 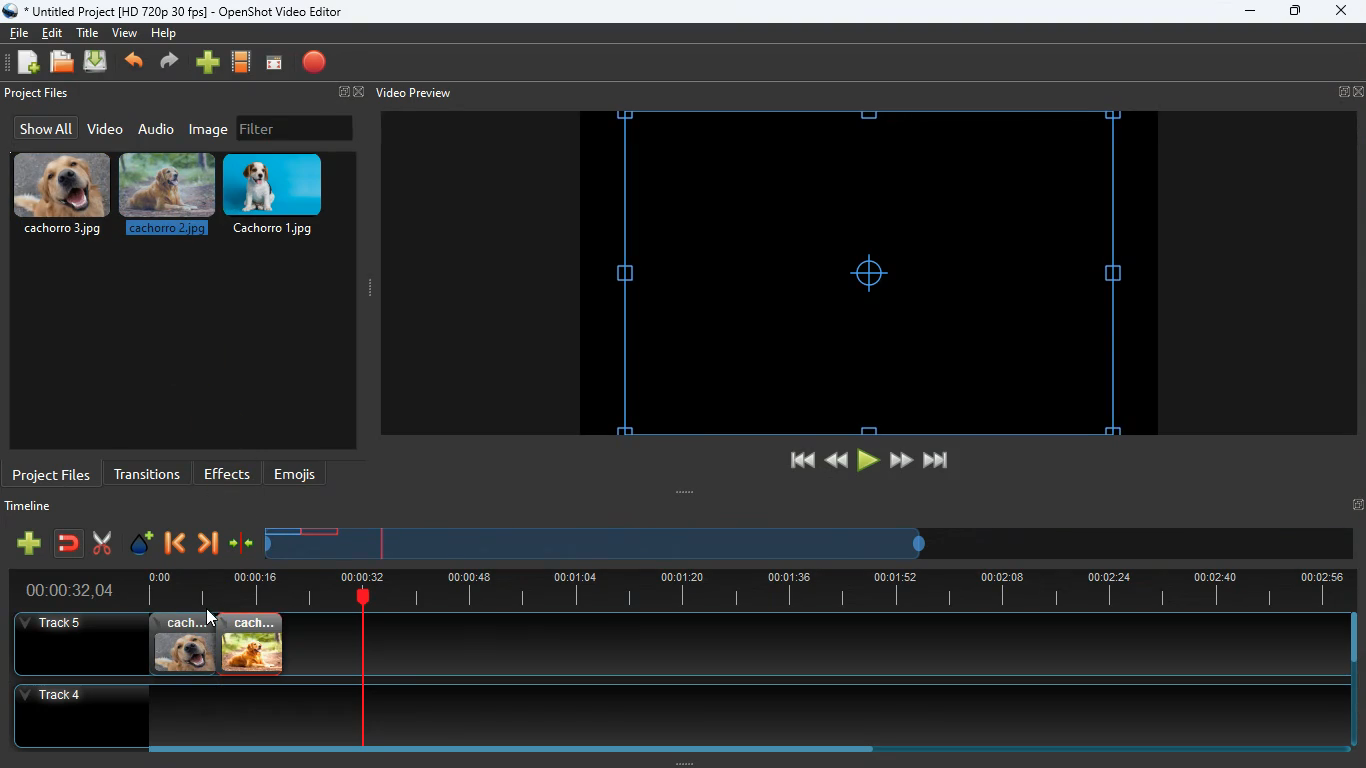 What do you see at coordinates (1354, 680) in the screenshot?
I see `Vertical slide bar` at bounding box center [1354, 680].